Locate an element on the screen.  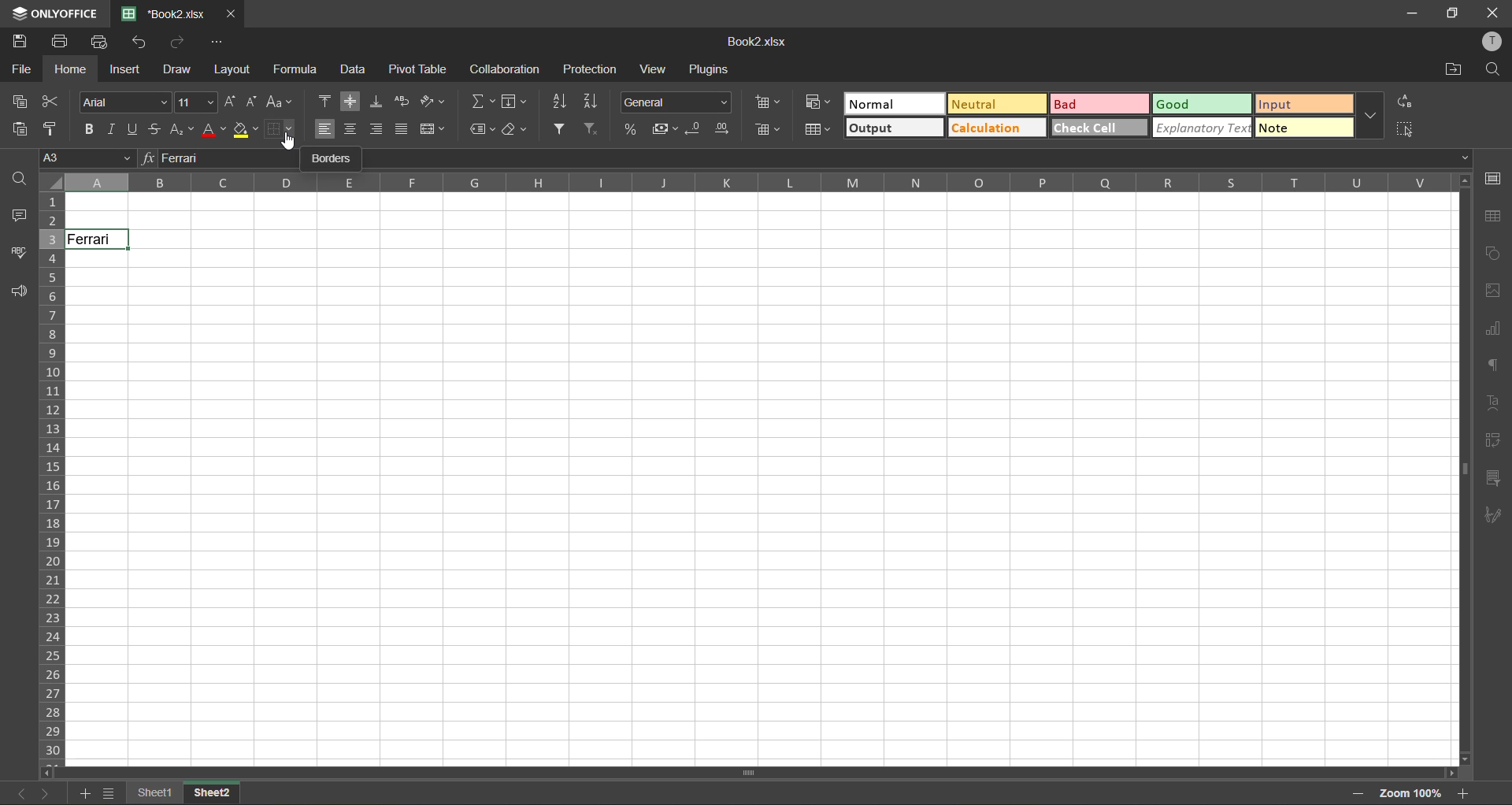
next is located at coordinates (44, 794).